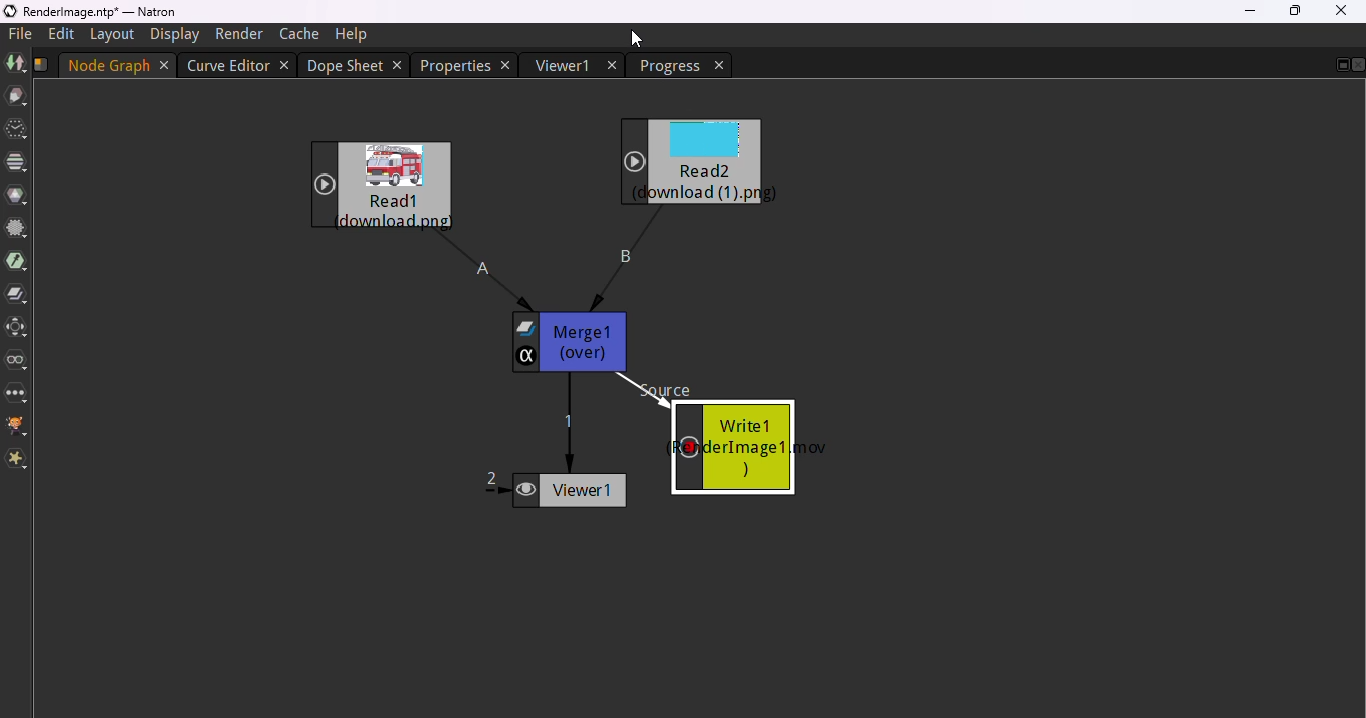 Image resolution: width=1366 pixels, height=718 pixels. What do you see at coordinates (571, 491) in the screenshot?
I see `viewer 1` at bounding box center [571, 491].